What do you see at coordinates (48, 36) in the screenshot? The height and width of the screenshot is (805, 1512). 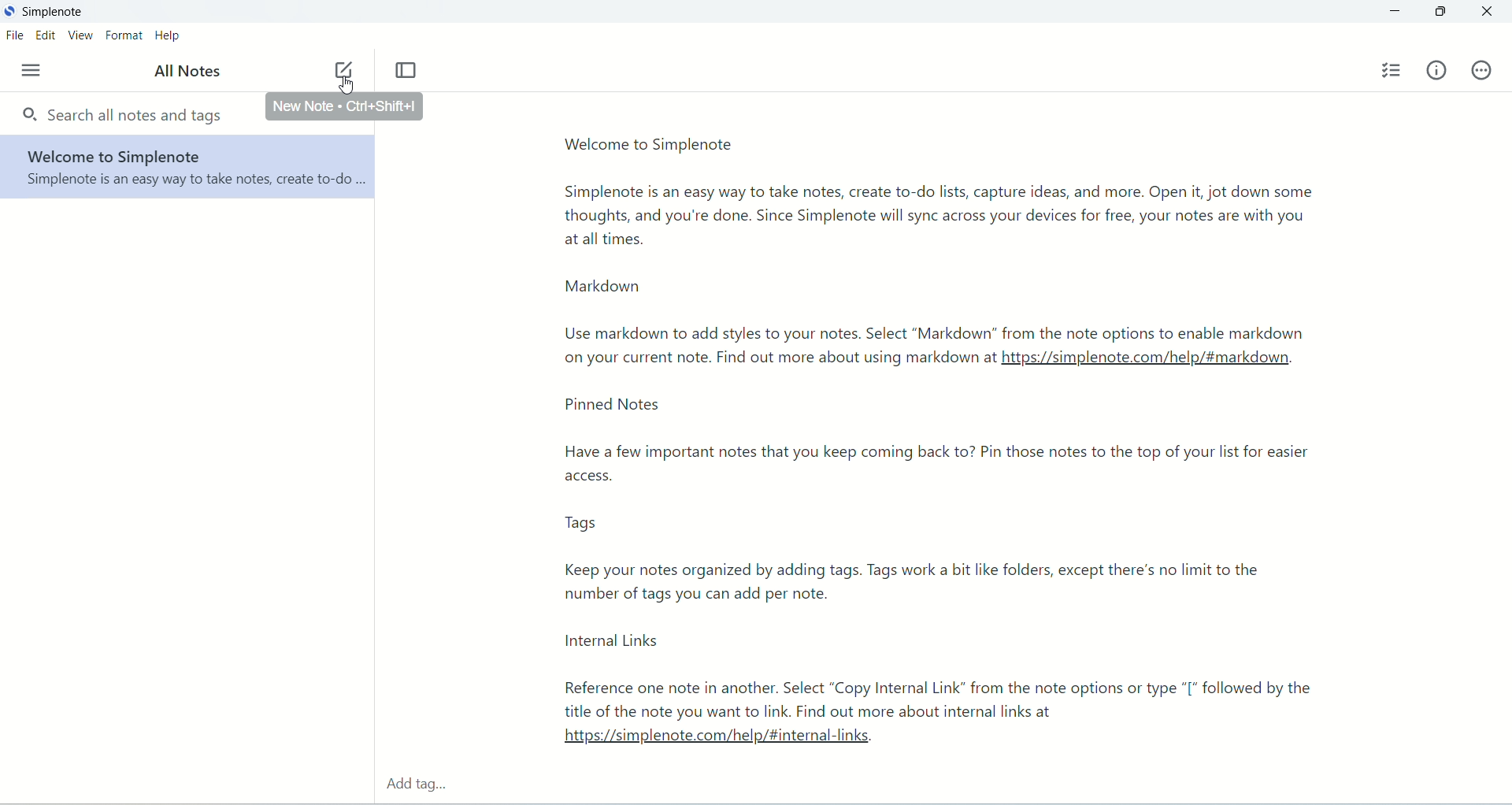 I see `edit` at bounding box center [48, 36].